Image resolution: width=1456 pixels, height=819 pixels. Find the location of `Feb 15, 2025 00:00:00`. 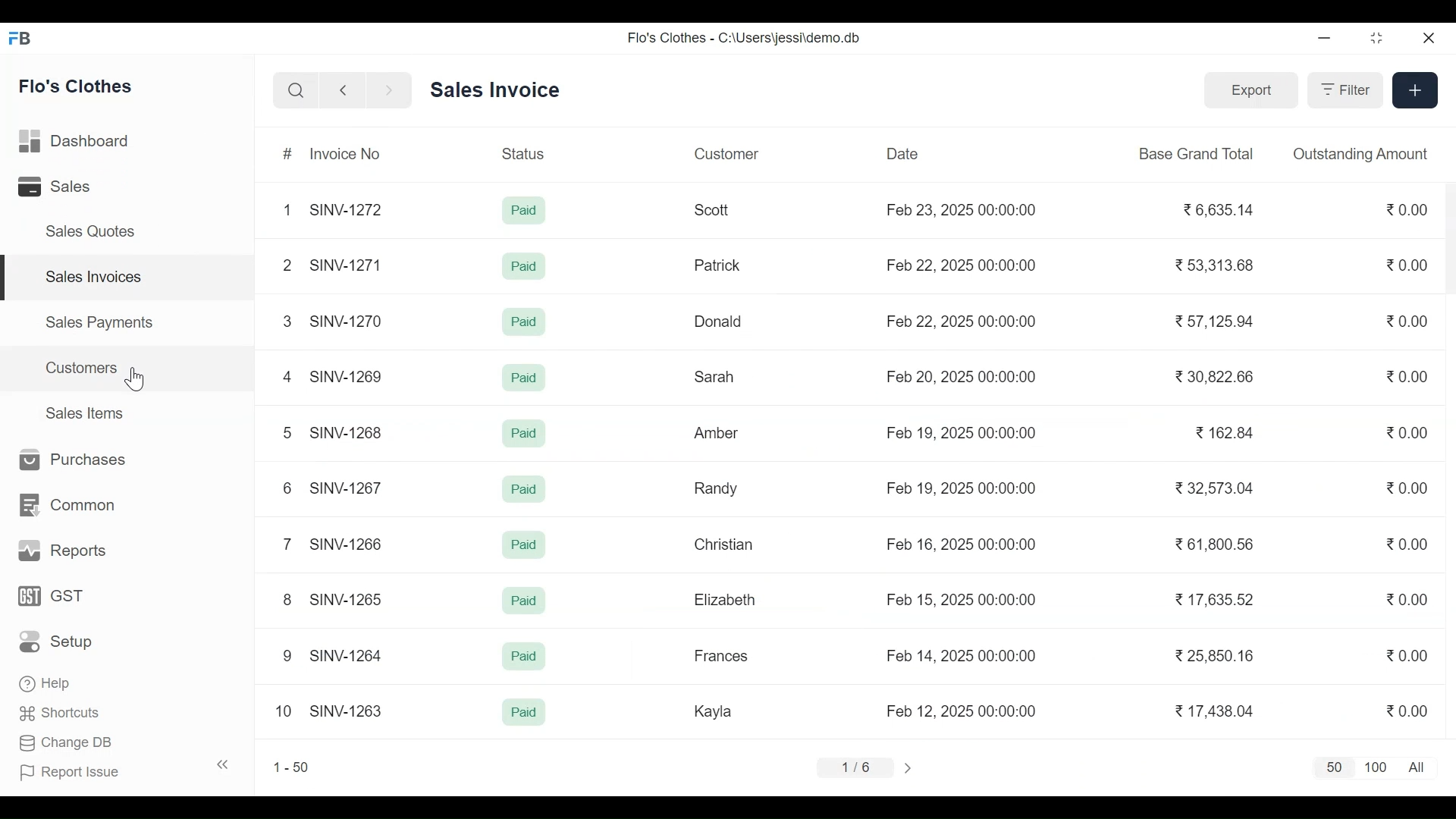

Feb 15, 2025 00:00:00 is located at coordinates (962, 598).